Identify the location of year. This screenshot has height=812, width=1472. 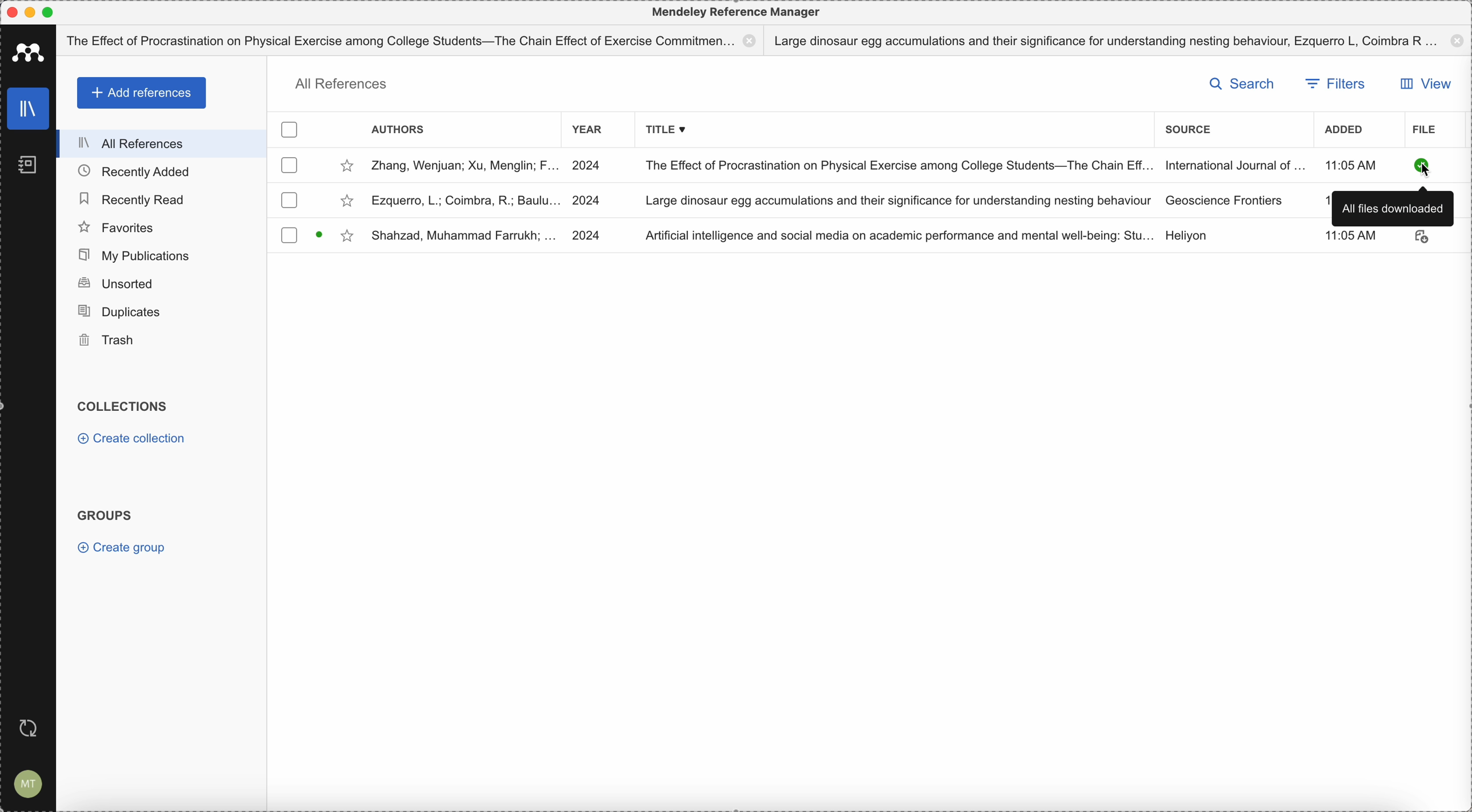
(587, 129).